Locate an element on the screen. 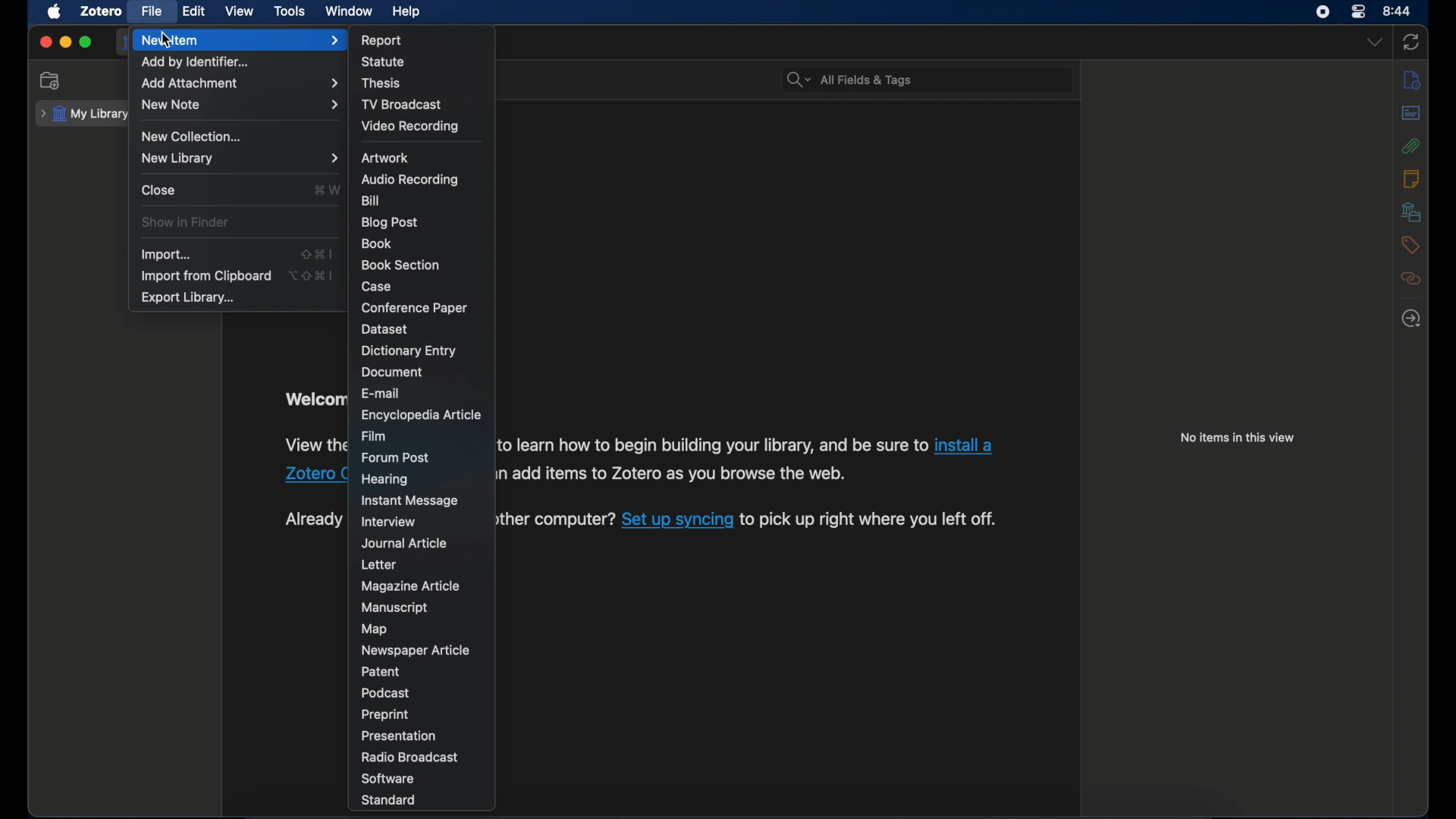 Image resolution: width=1456 pixels, height=819 pixels. window is located at coordinates (347, 11).